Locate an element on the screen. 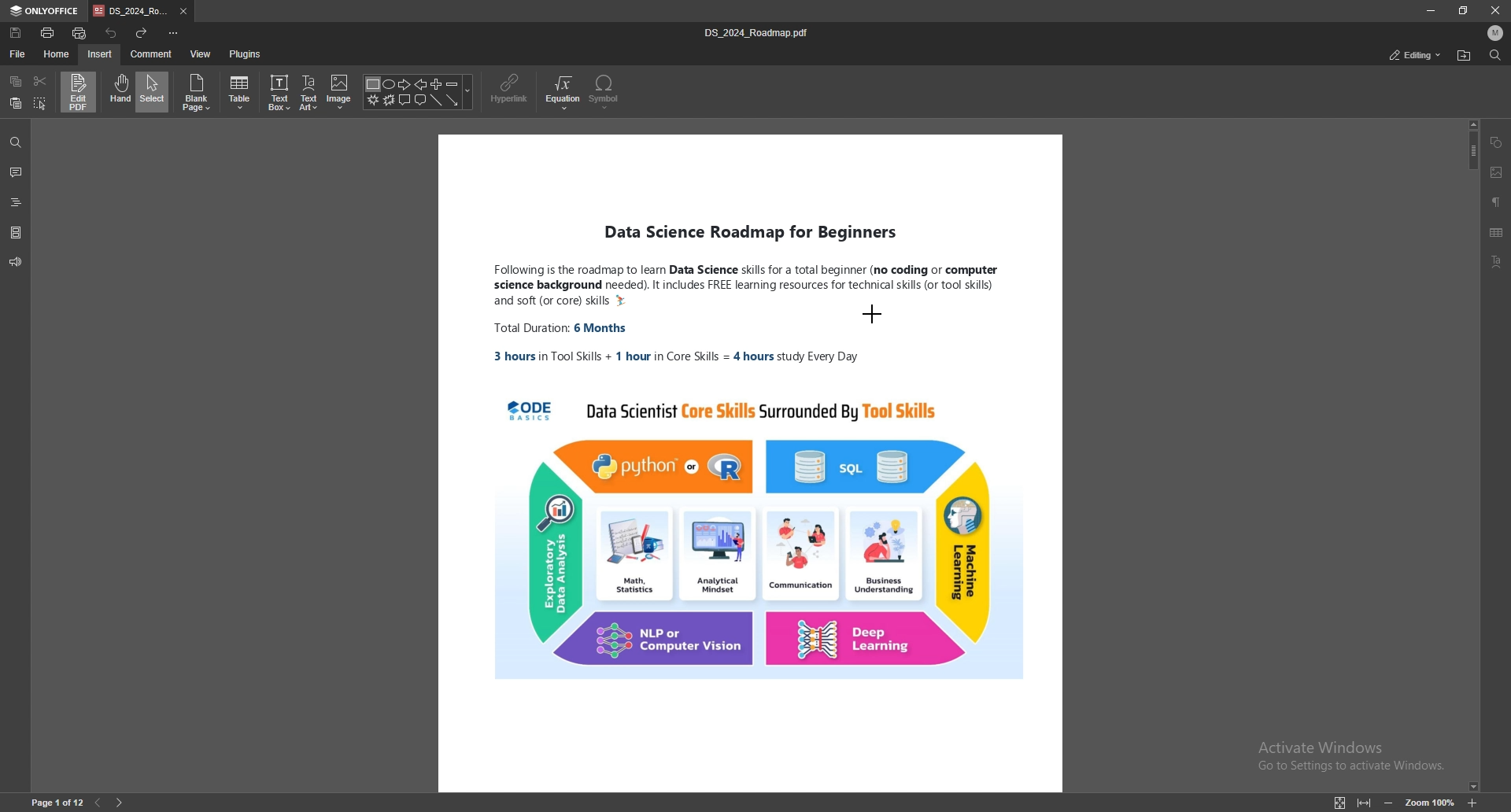 The image size is (1511, 812). text art is located at coordinates (1501, 261).